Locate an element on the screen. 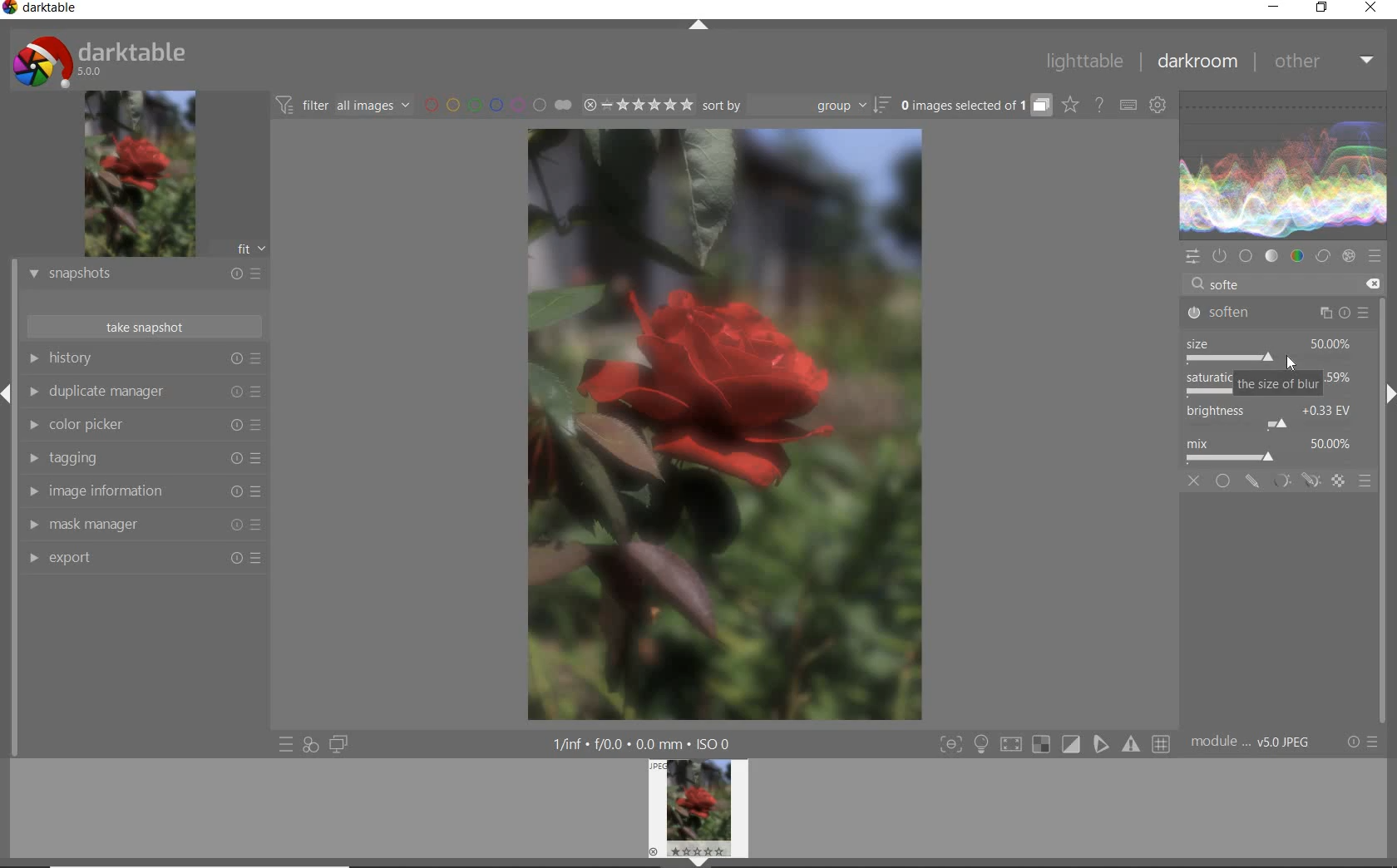  mask manager is located at coordinates (142, 525).